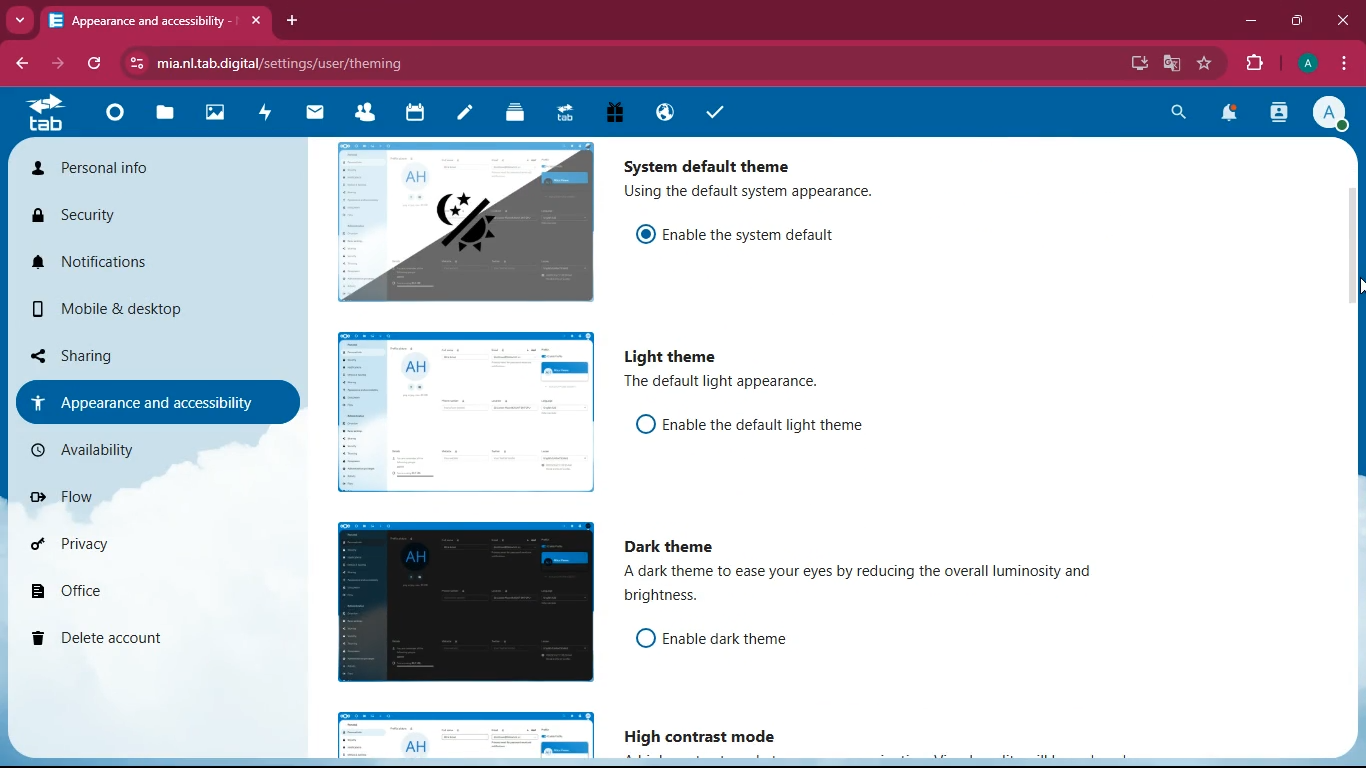  Describe the element at coordinates (26, 63) in the screenshot. I see `back` at that location.